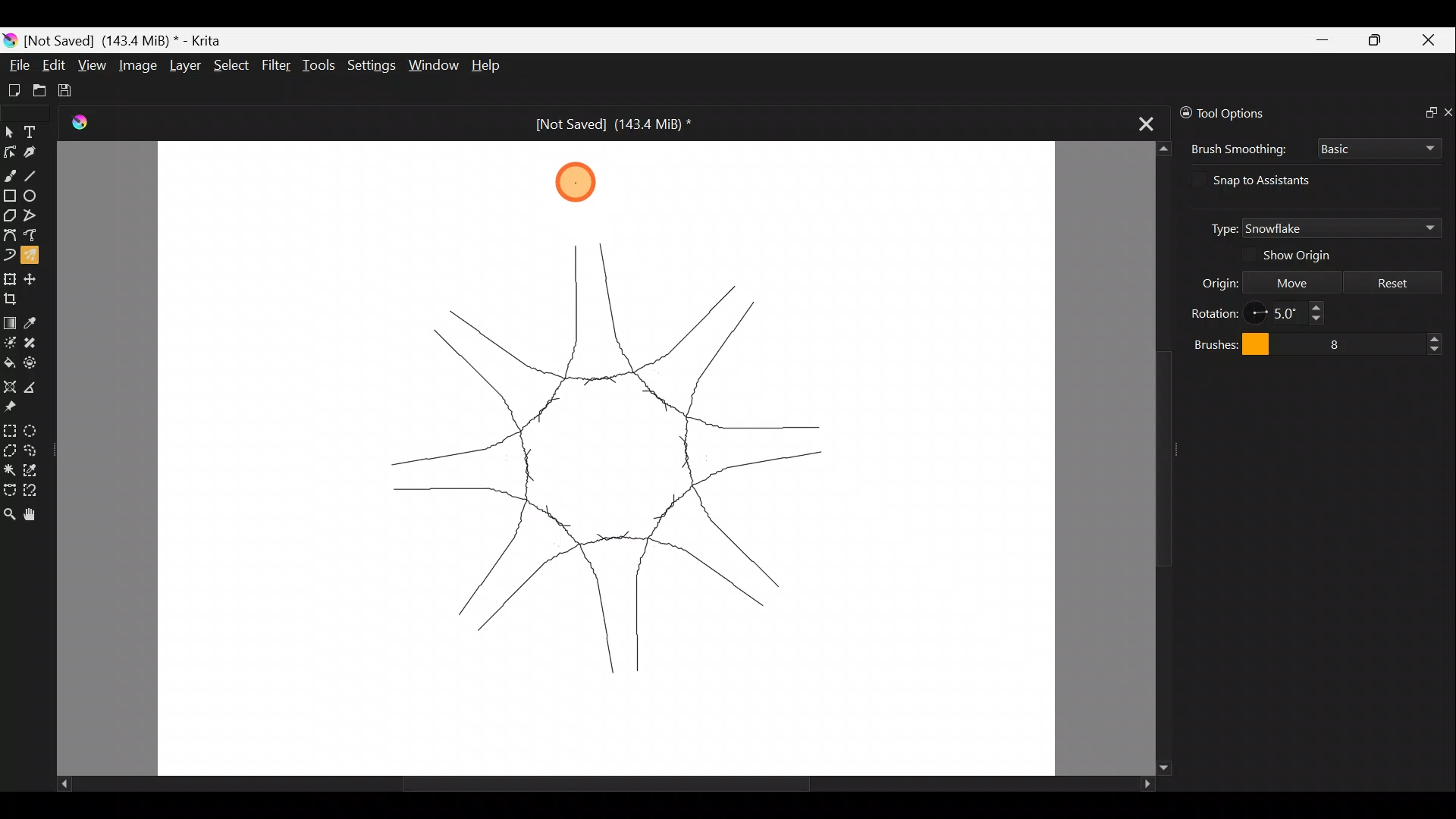  What do you see at coordinates (1147, 119) in the screenshot?
I see `Close tab` at bounding box center [1147, 119].